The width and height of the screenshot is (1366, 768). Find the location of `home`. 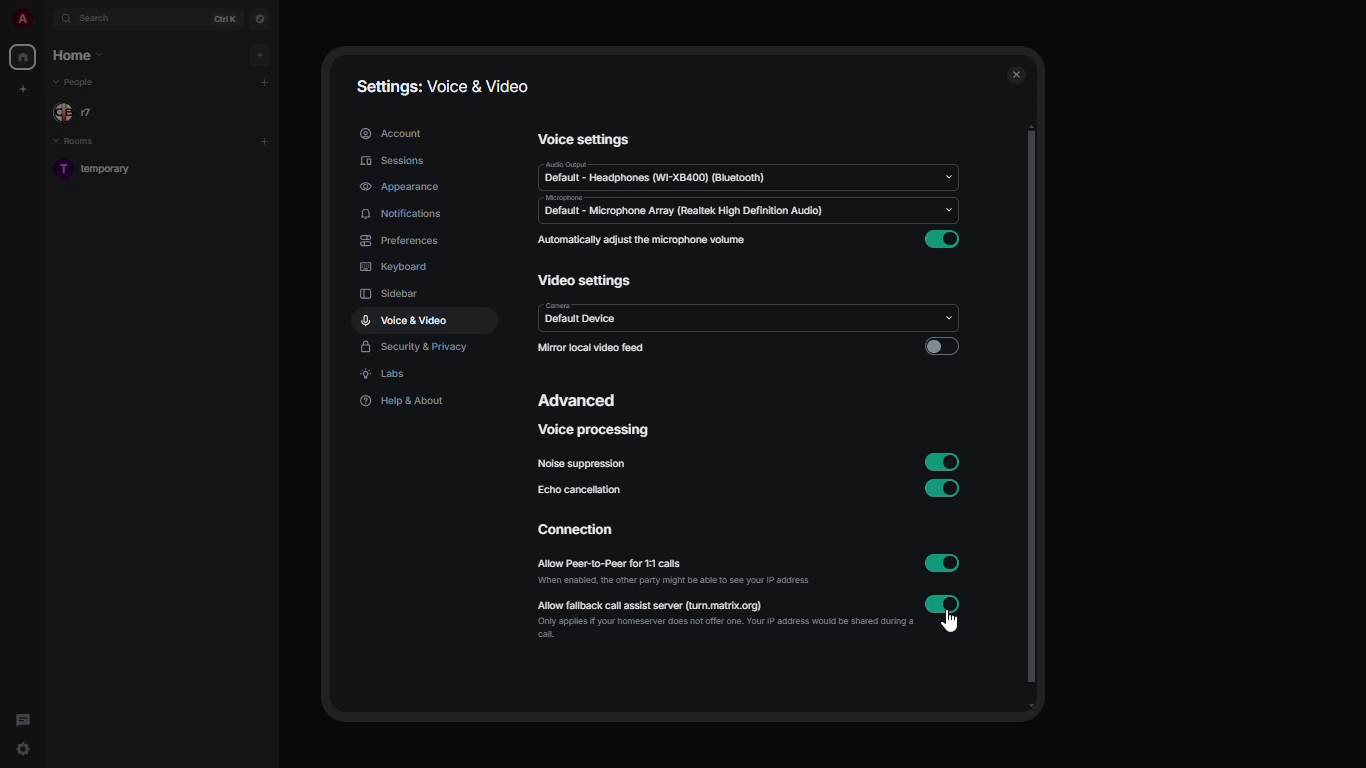

home is located at coordinates (22, 57).